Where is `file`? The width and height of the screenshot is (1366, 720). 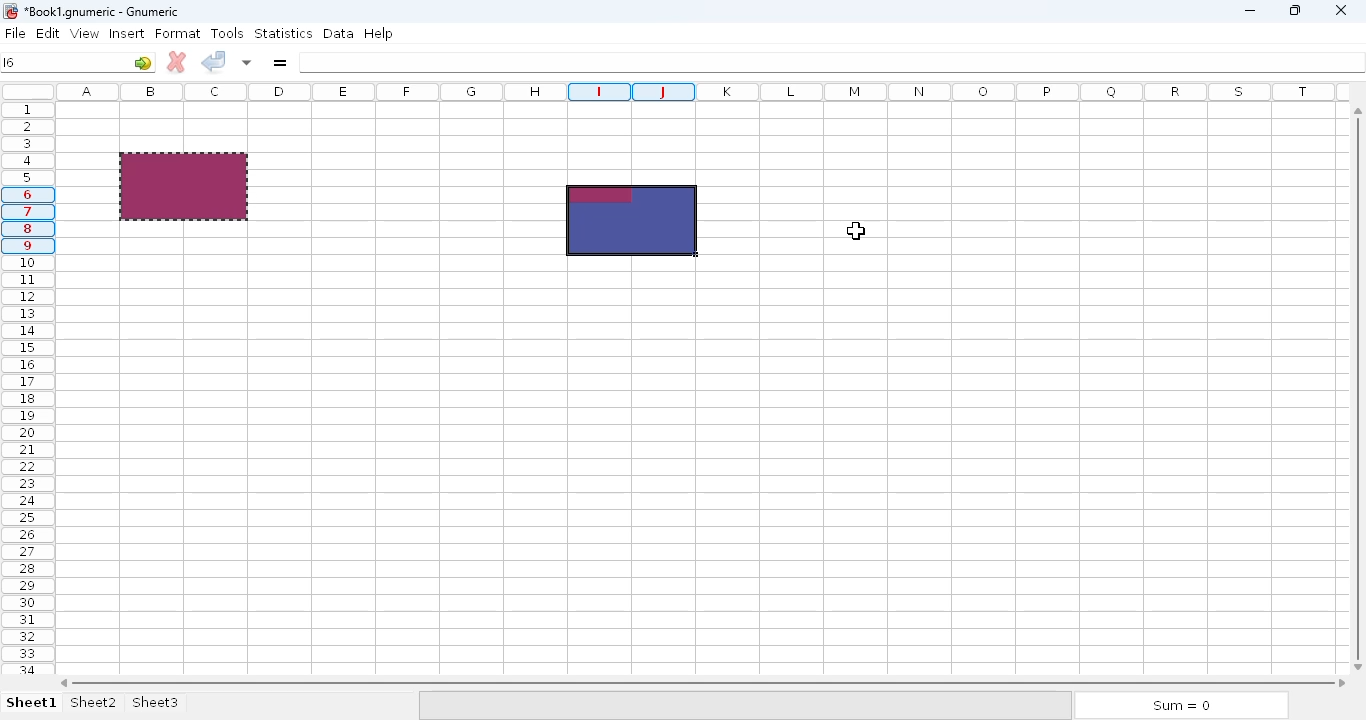
file is located at coordinates (15, 33).